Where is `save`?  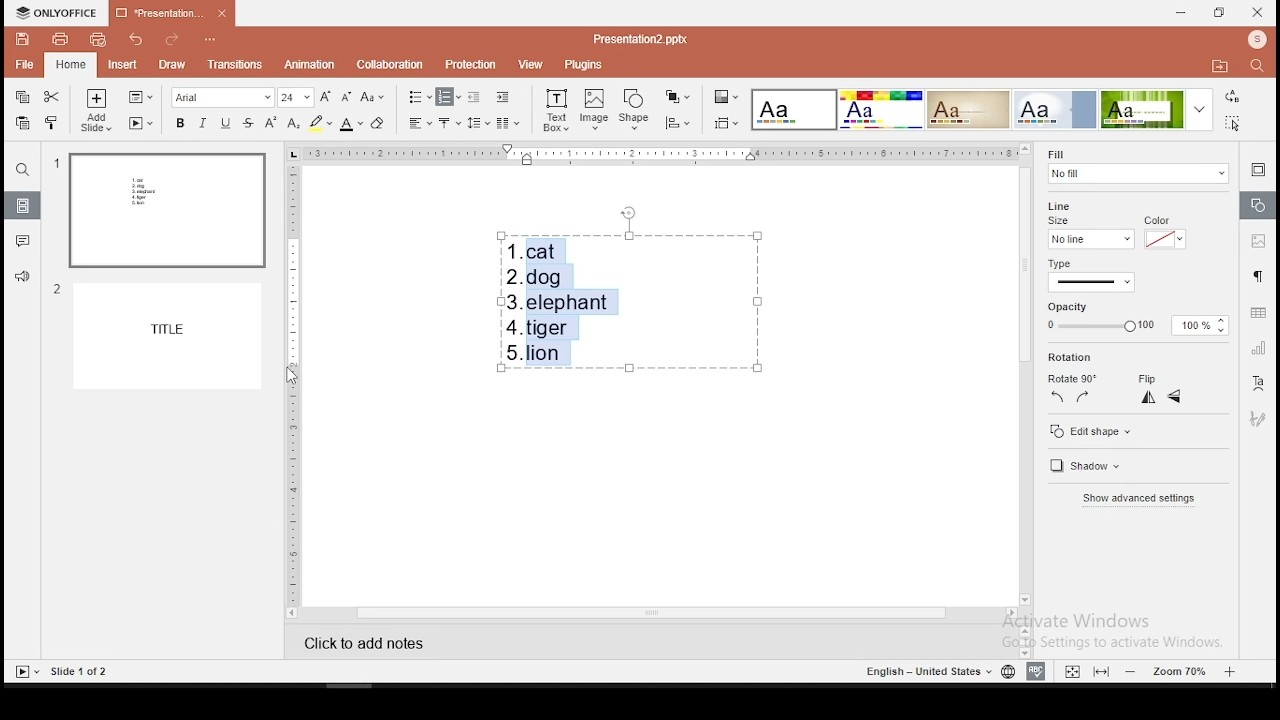 save is located at coordinates (23, 40).